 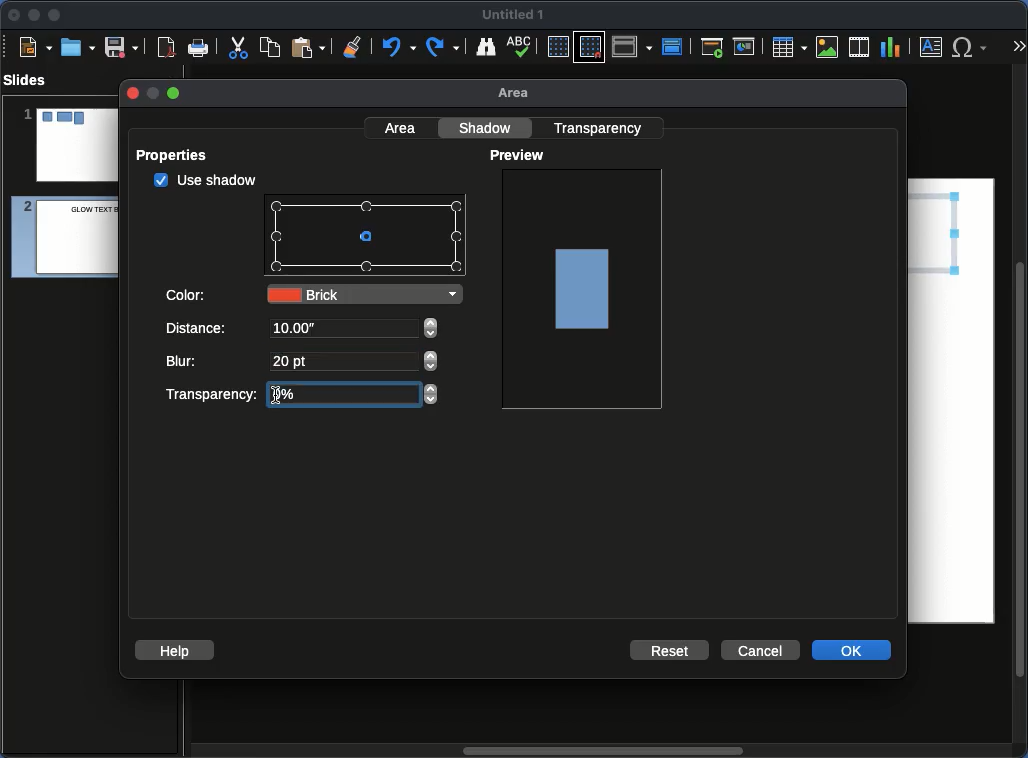 What do you see at coordinates (35, 46) in the screenshot?
I see `New` at bounding box center [35, 46].